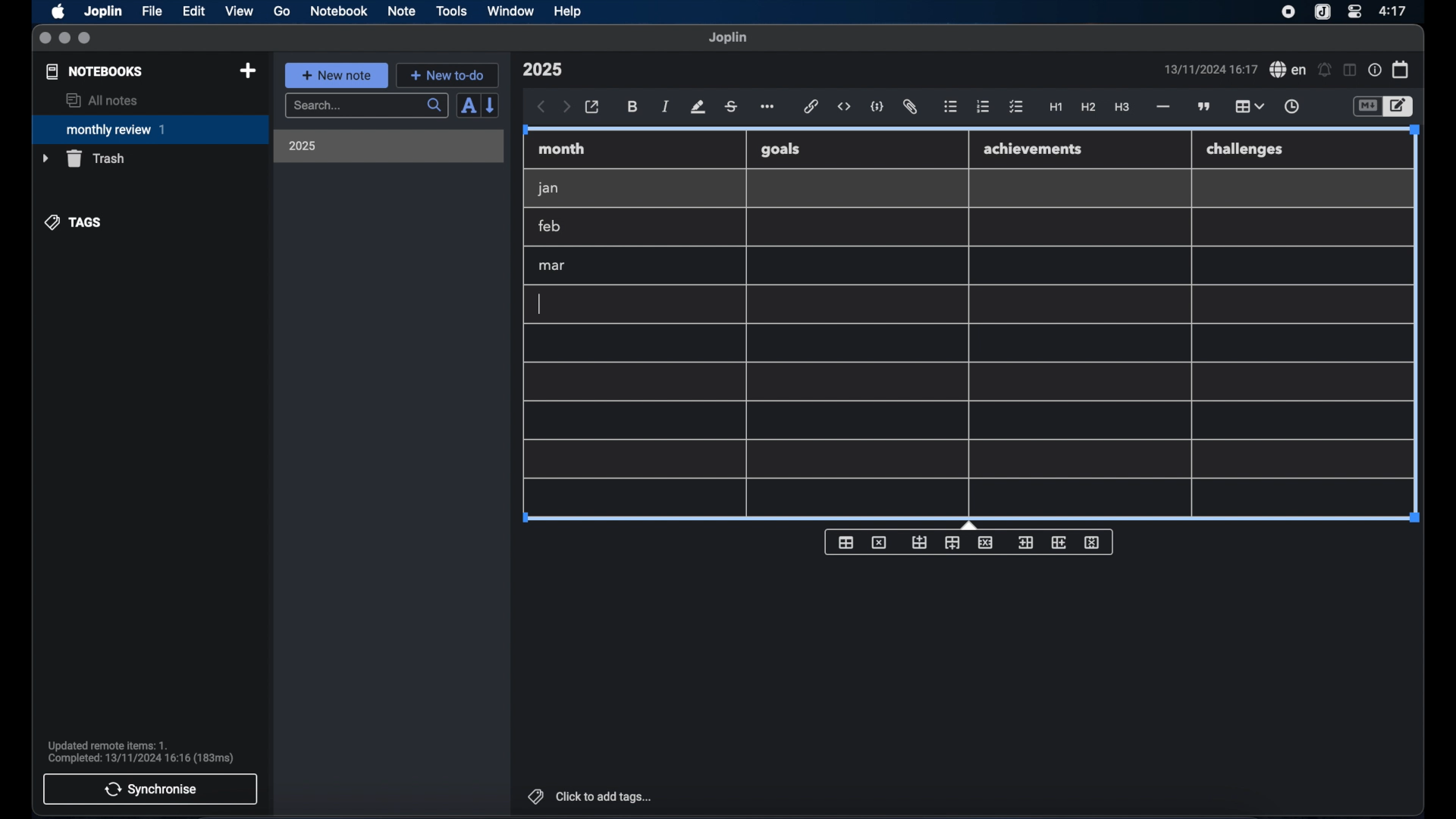 The width and height of the screenshot is (1456, 819). Describe the element at coordinates (57, 11) in the screenshot. I see `apple icon` at that location.